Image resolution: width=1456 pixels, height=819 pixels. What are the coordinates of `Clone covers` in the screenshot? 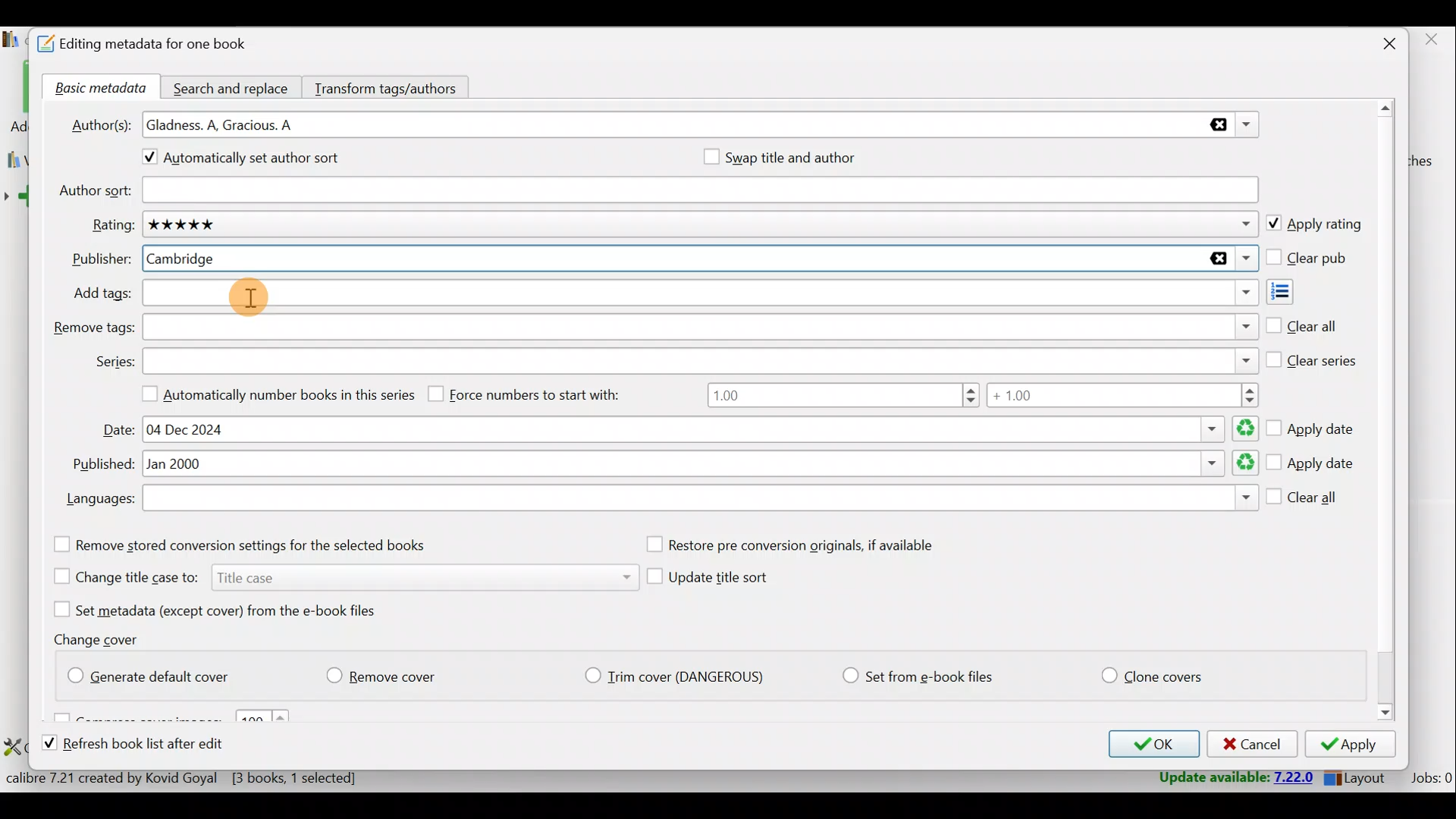 It's located at (1149, 673).